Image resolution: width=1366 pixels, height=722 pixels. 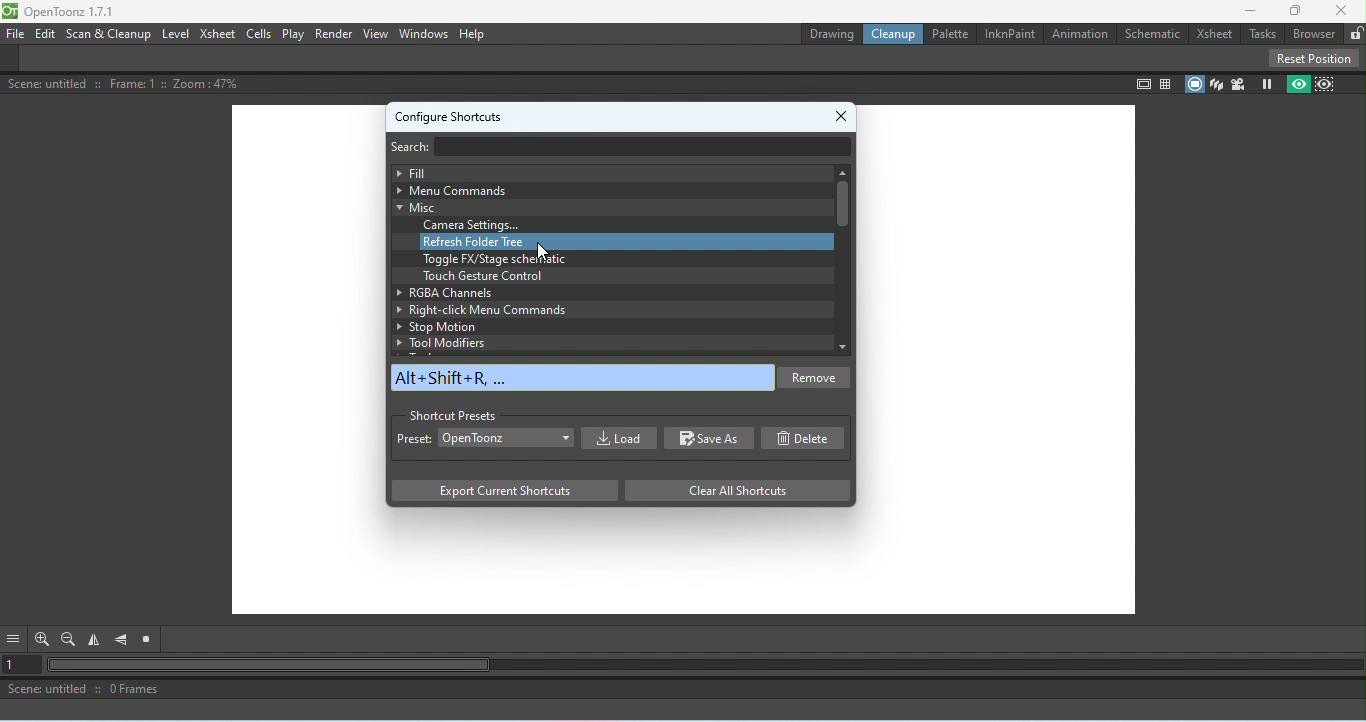 What do you see at coordinates (414, 441) in the screenshot?
I see `Preset` at bounding box center [414, 441].